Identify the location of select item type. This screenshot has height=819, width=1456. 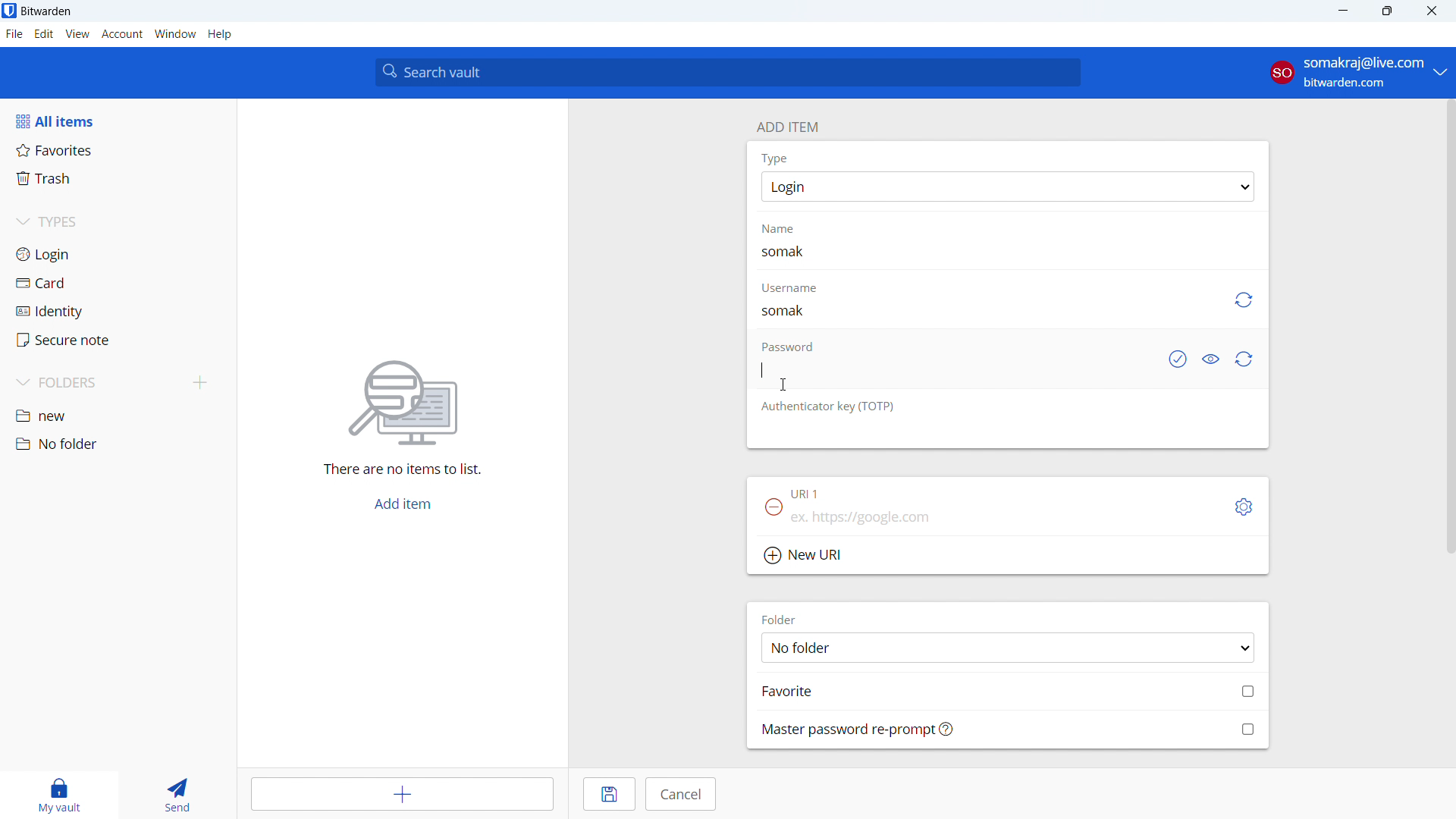
(1008, 187).